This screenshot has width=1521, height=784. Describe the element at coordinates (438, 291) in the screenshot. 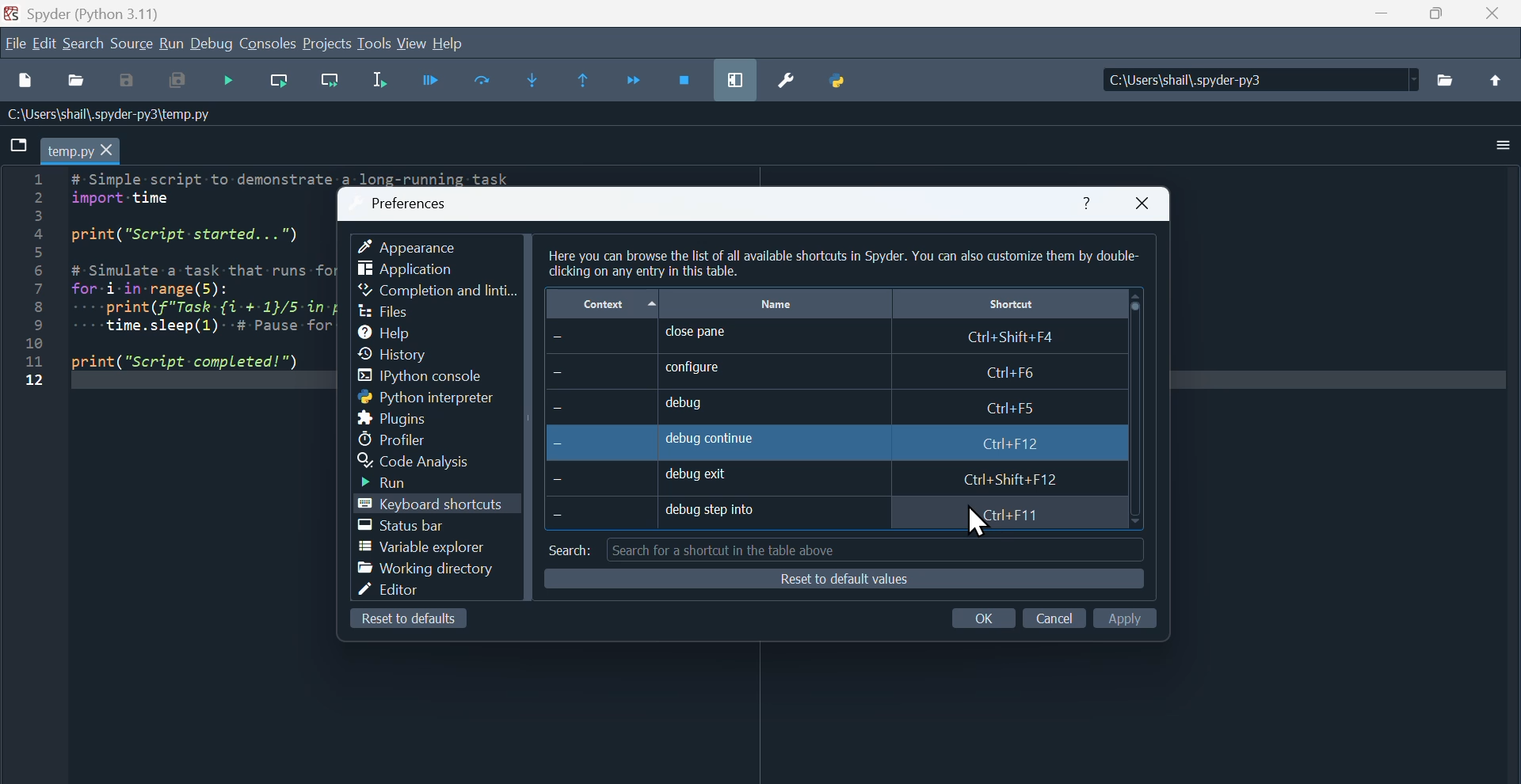

I see `Completion and` at that location.